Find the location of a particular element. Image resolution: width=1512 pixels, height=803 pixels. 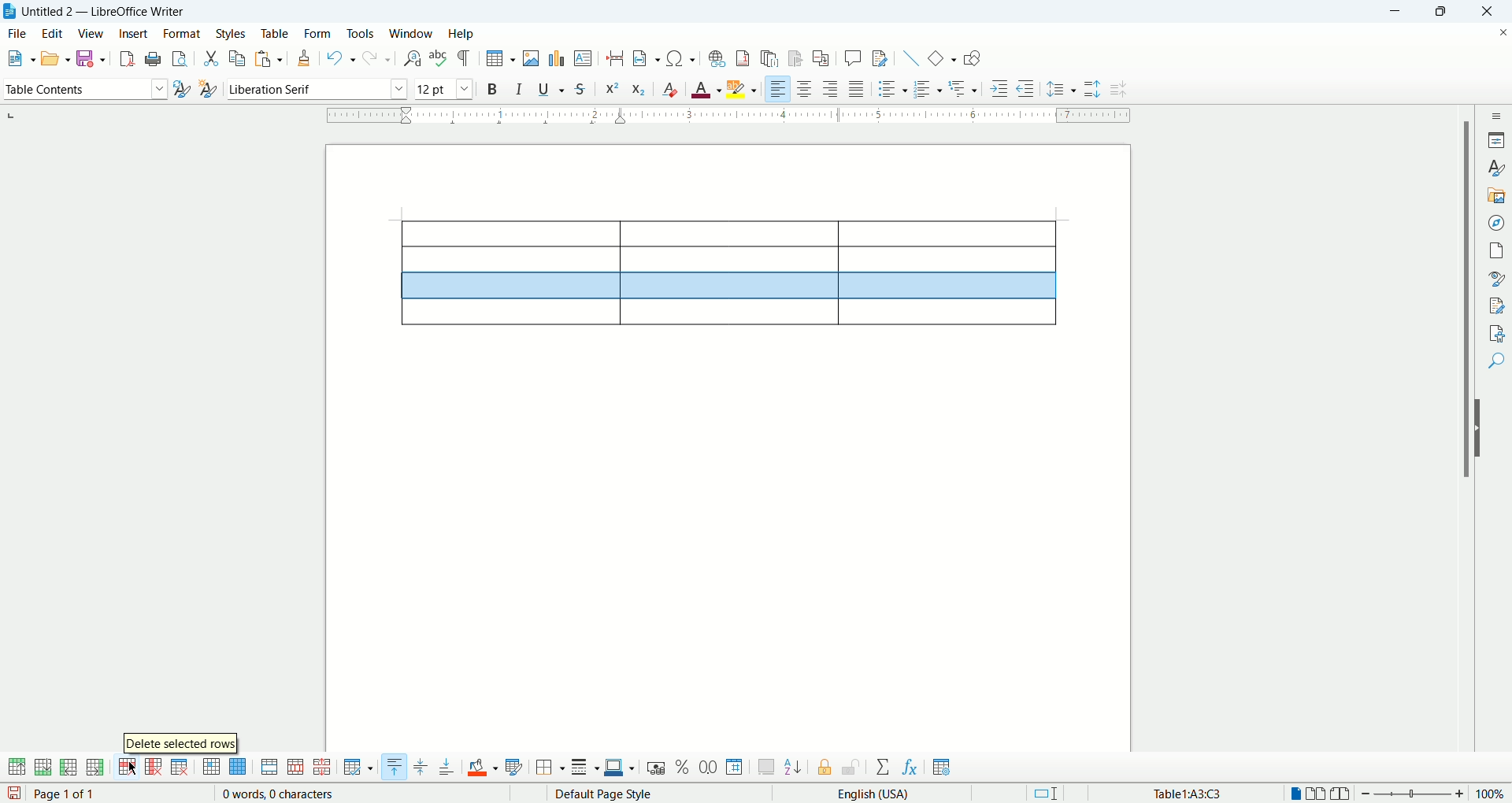

insert chart is located at coordinates (556, 57).